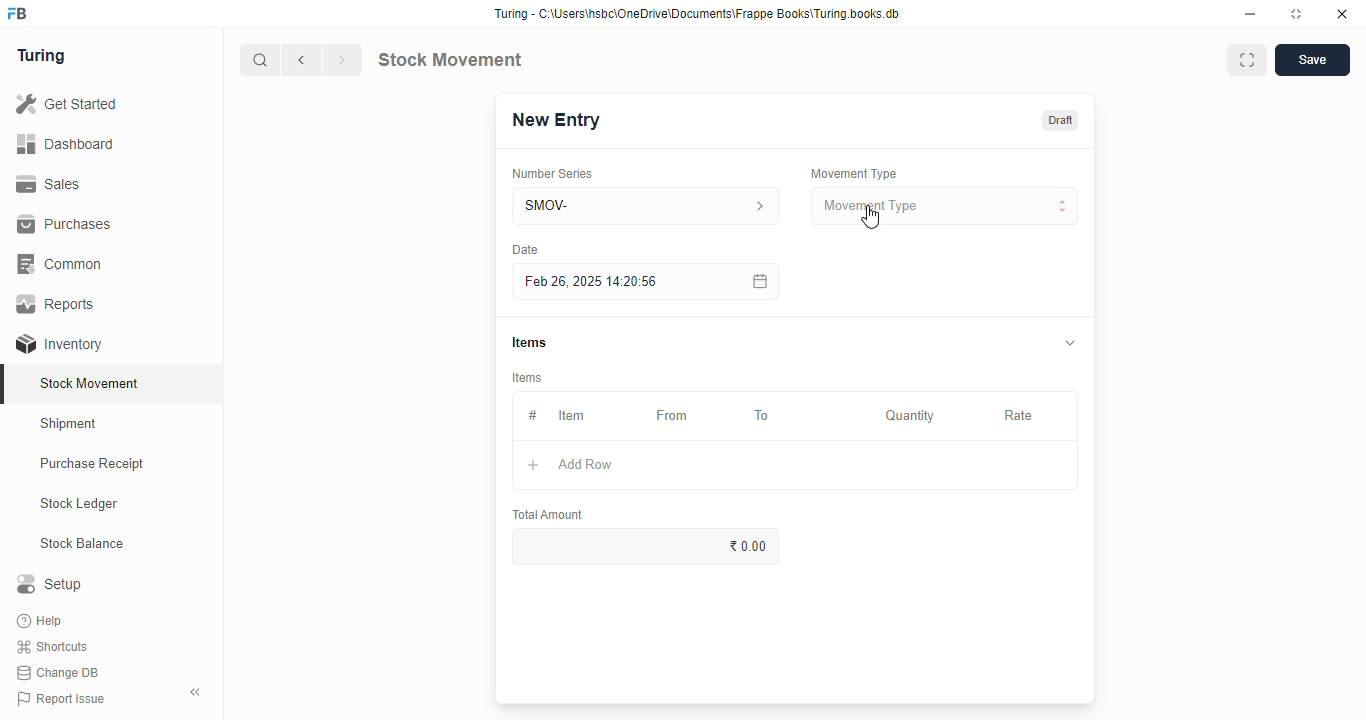 Image resolution: width=1366 pixels, height=720 pixels. What do you see at coordinates (758, 281) in the screenshot?
I see `calendar` at bounding box center [758, 281].